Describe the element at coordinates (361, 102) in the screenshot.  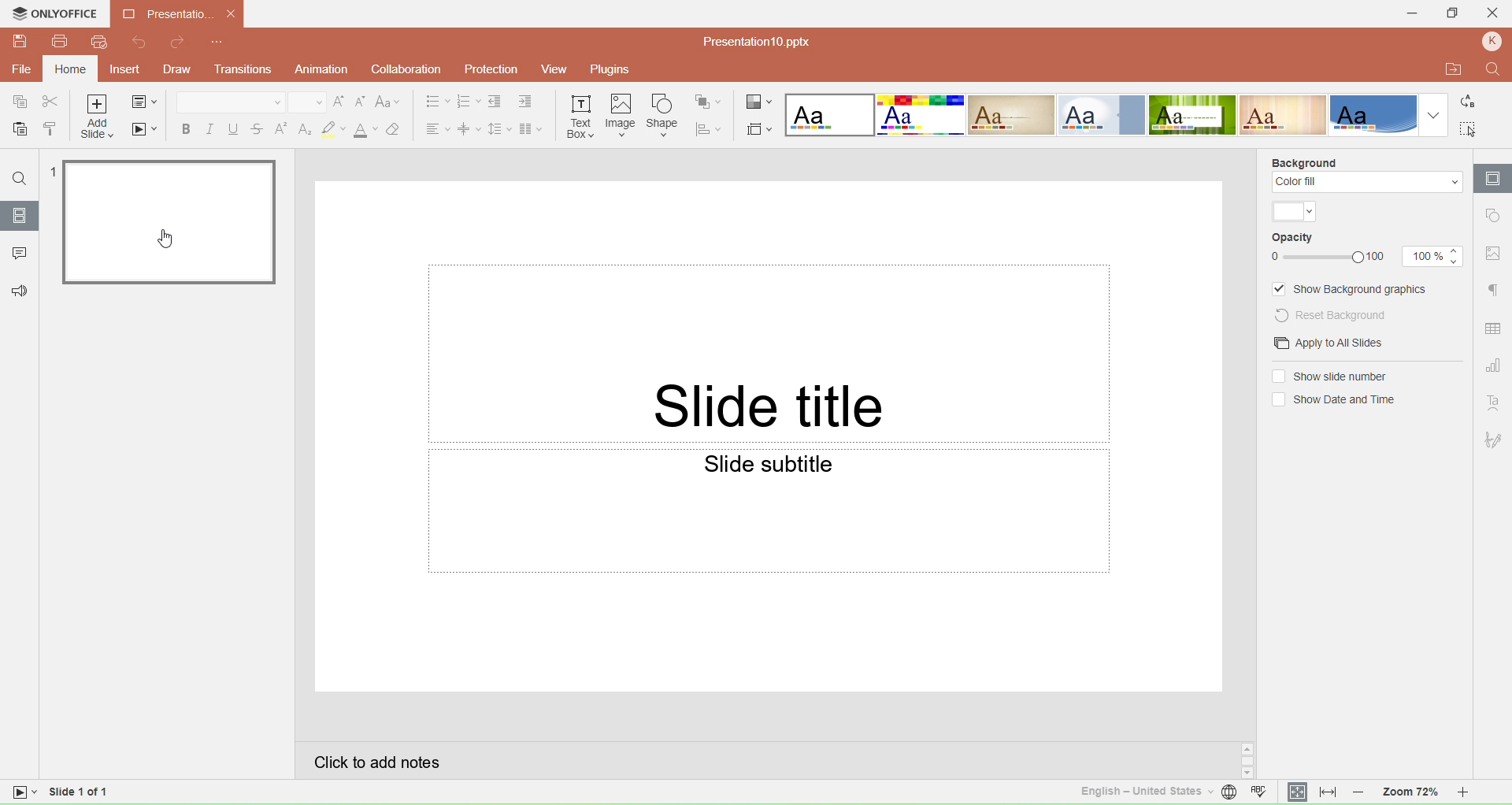
I see `Decrement font size` at that location.